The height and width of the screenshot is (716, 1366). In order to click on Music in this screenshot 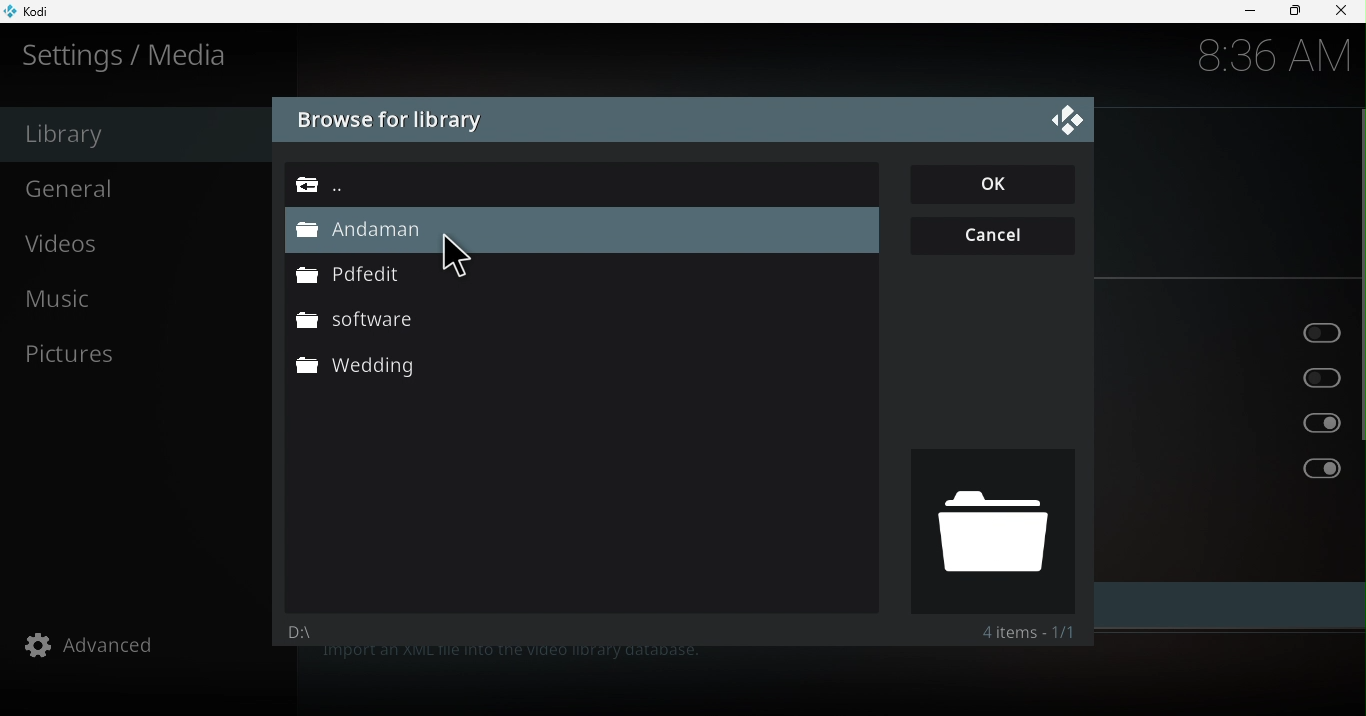, I will do `click(138, 303)`.